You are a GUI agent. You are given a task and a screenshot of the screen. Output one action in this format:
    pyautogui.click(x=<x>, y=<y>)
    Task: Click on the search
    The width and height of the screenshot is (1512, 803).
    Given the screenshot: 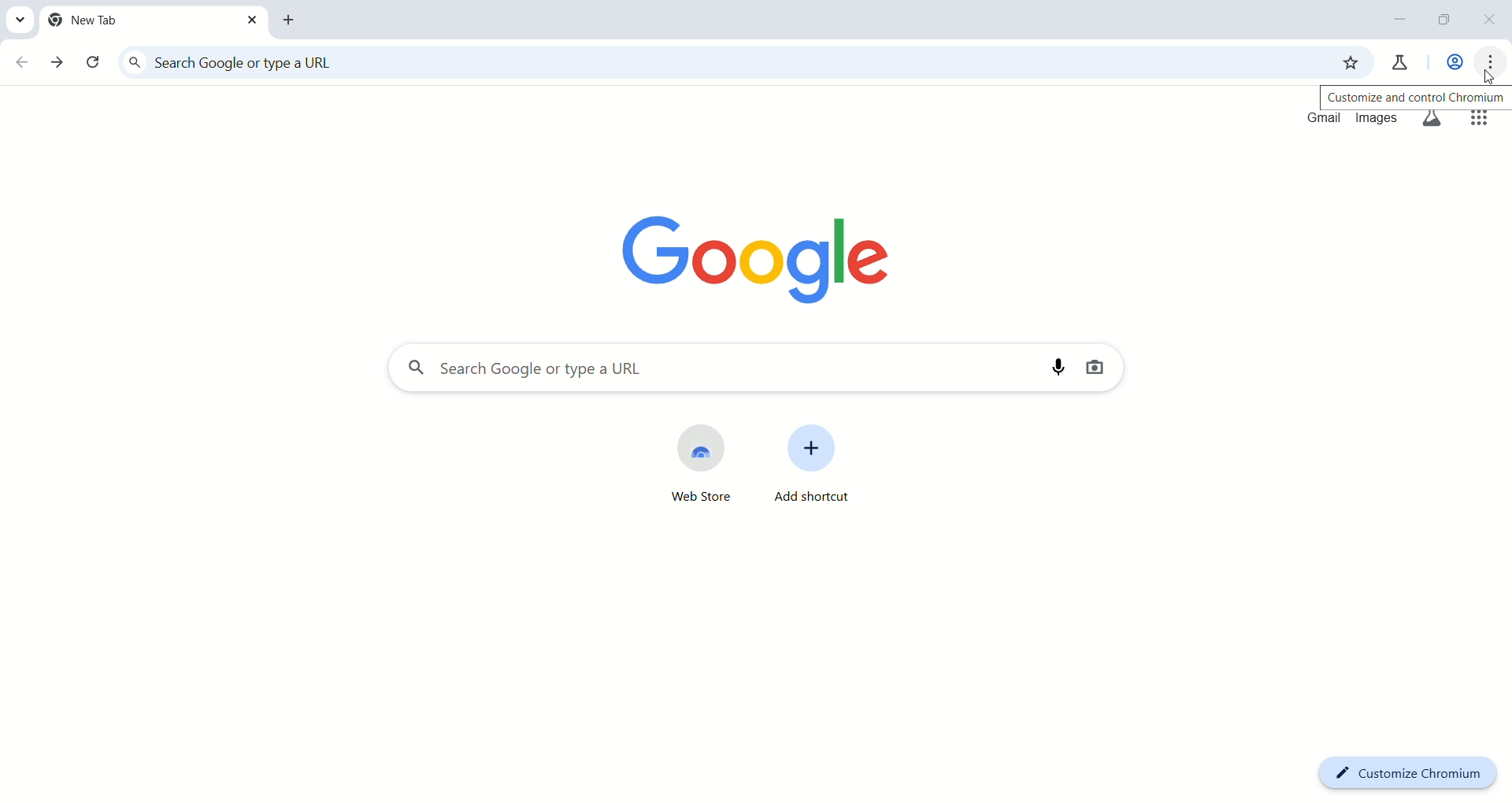 What is the action you would take?
    pyautogui.click(x=714, y=64)
    